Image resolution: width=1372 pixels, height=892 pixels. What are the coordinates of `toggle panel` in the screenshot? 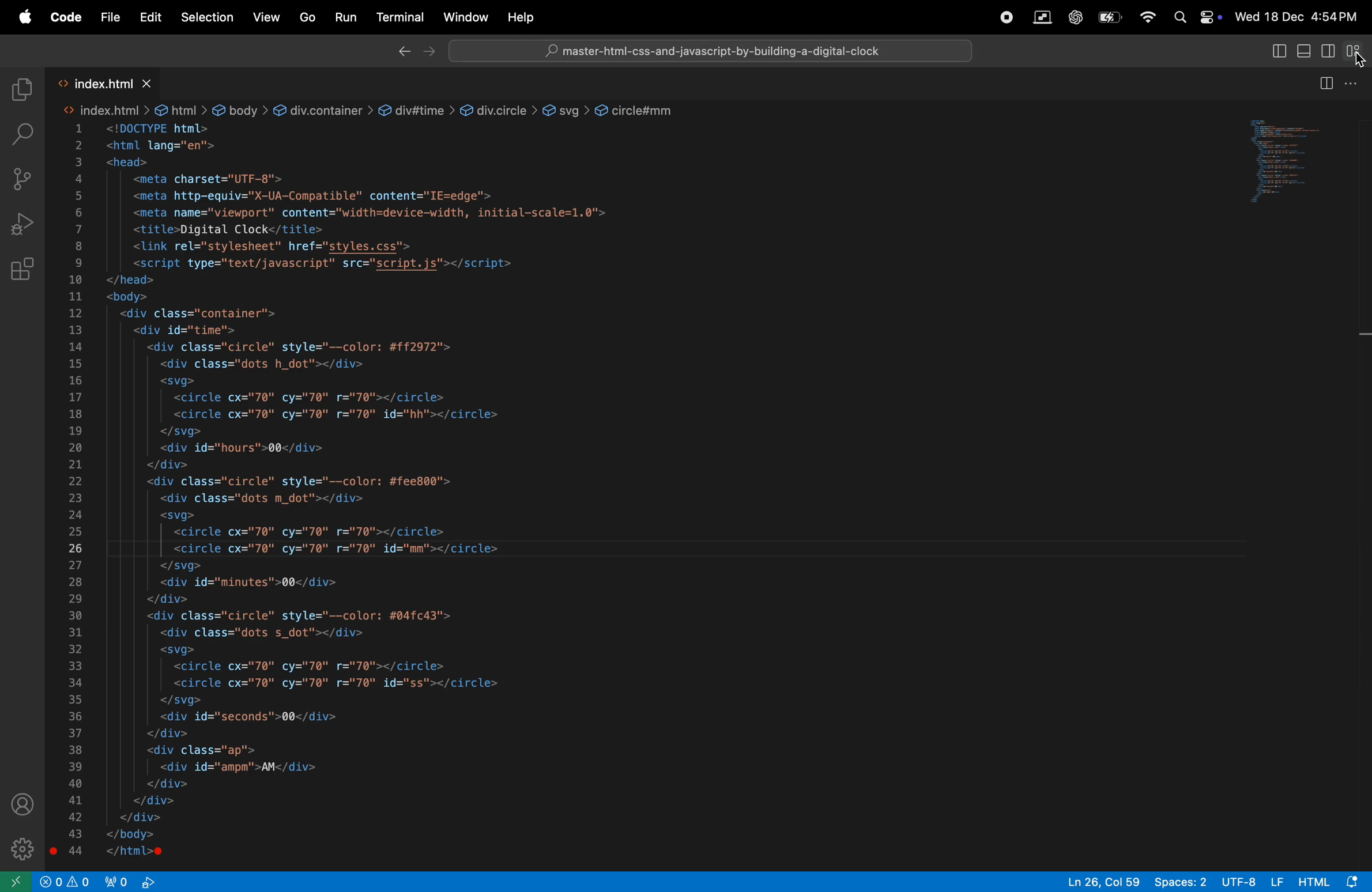 It's located at (1306, 50).